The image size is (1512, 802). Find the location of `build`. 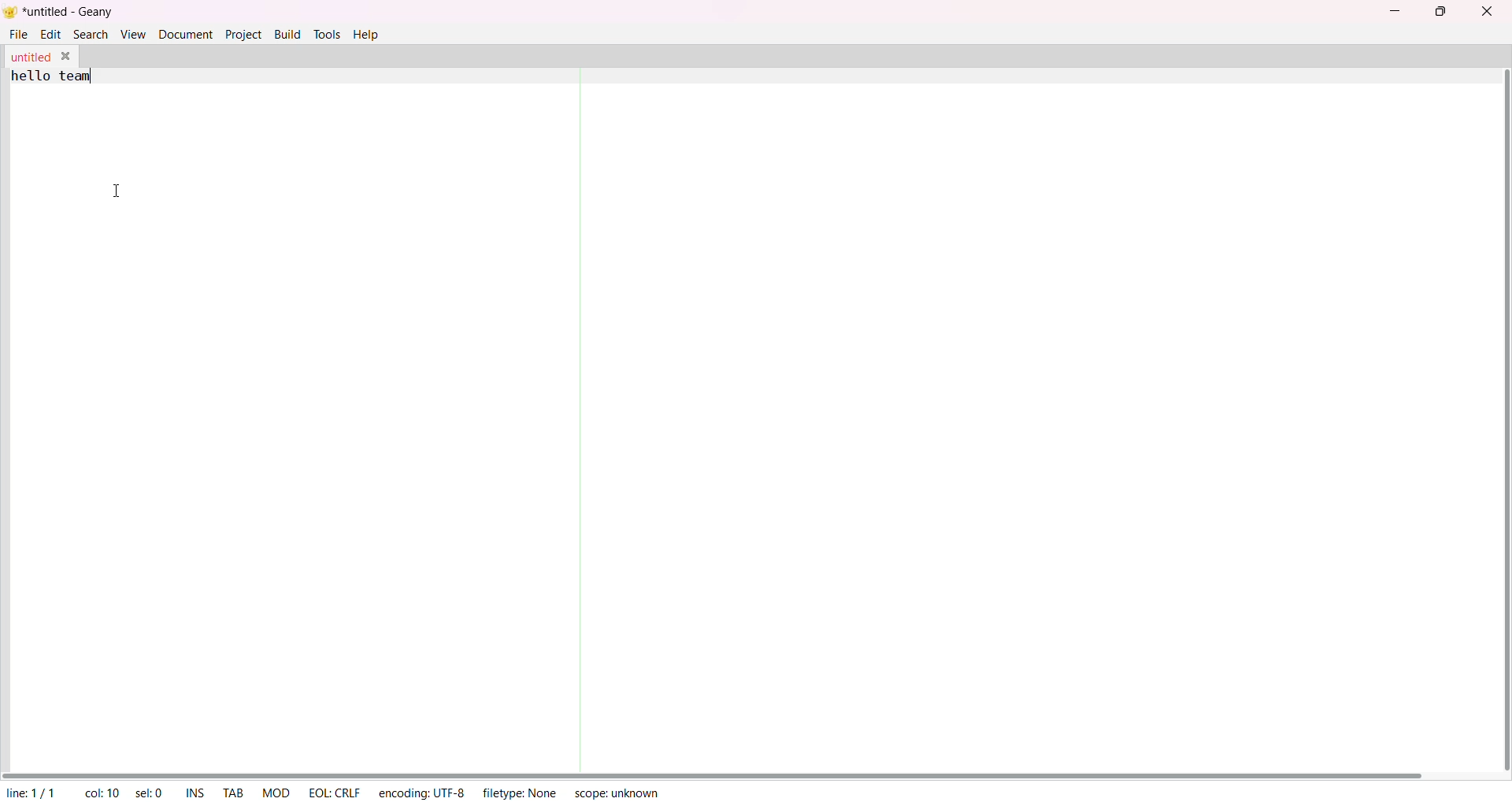

build is located at coordinates (285, 34).